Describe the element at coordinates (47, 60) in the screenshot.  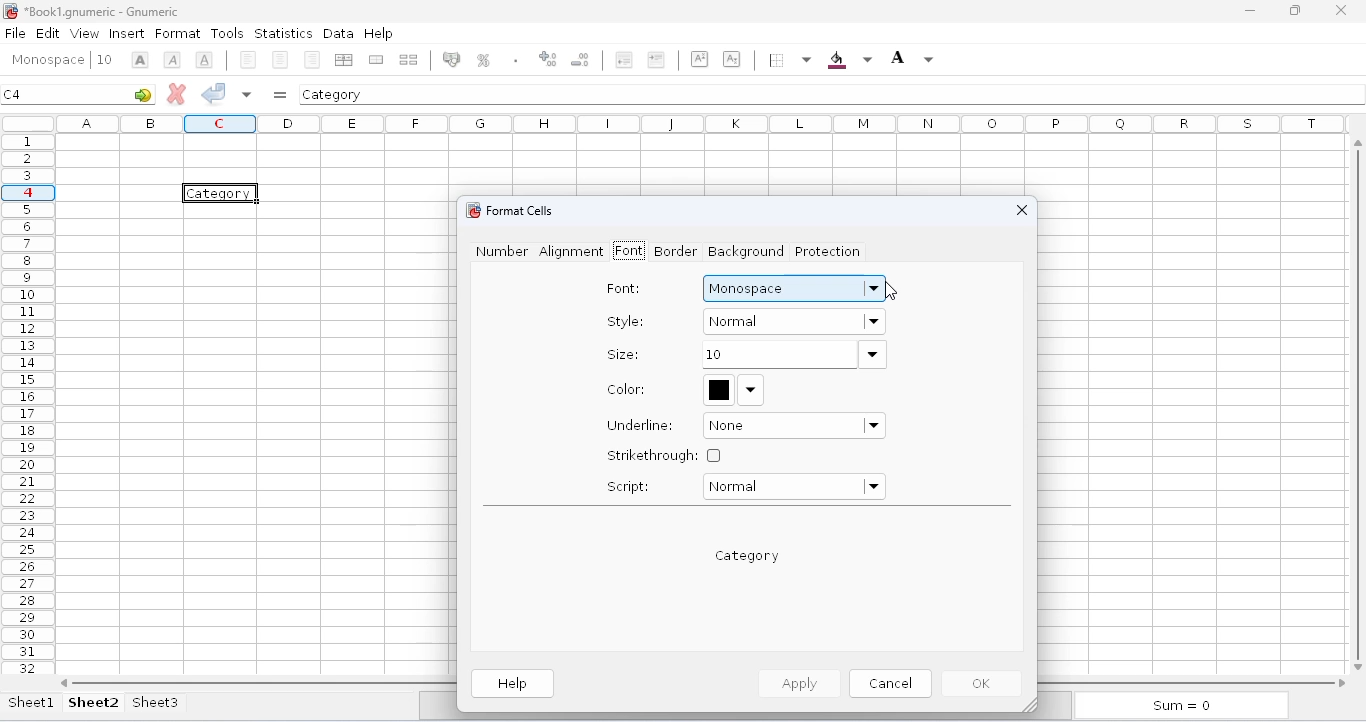
I see `font` at that location.